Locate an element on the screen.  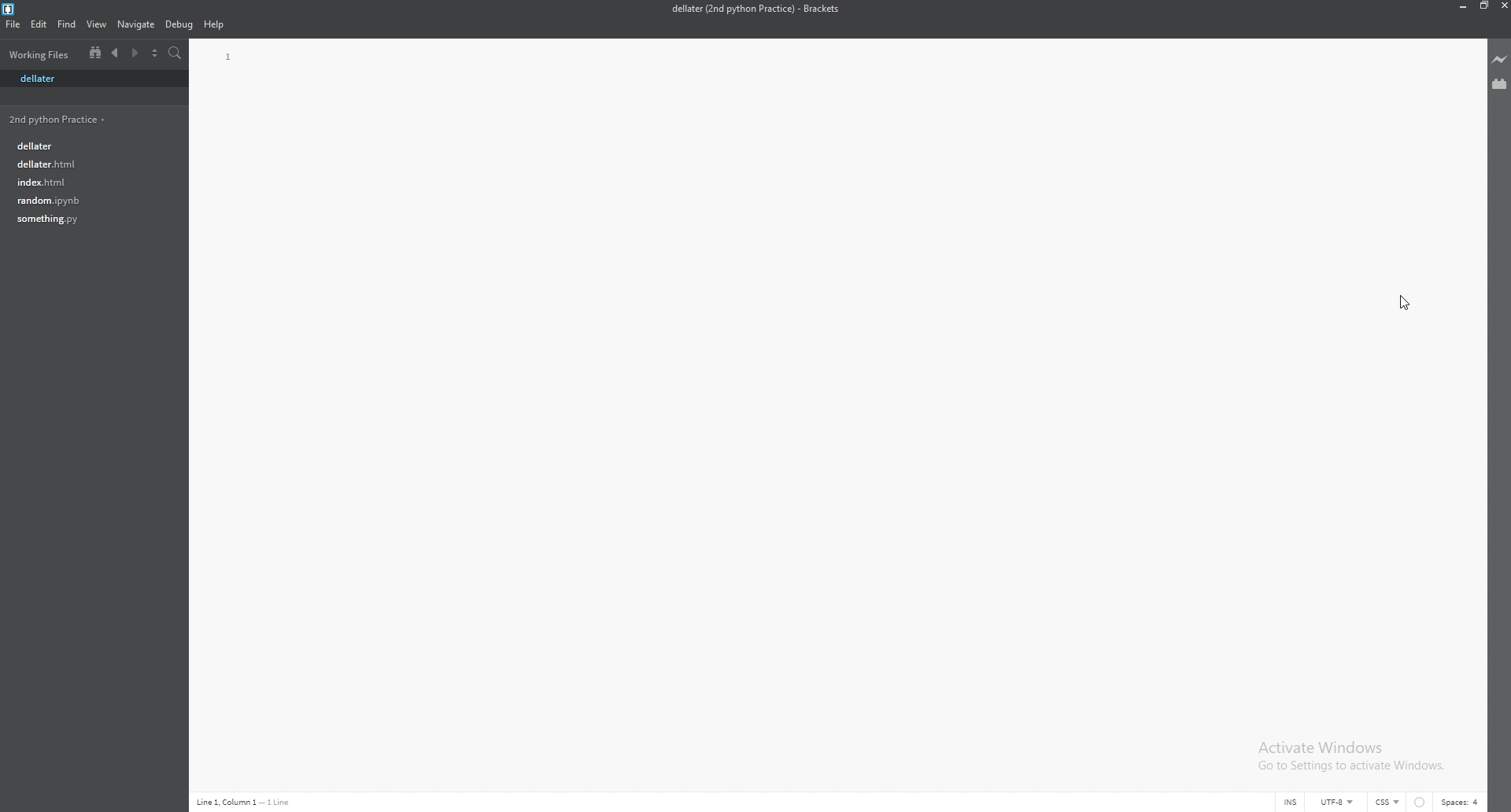
file is located at coordinates (91, 79).